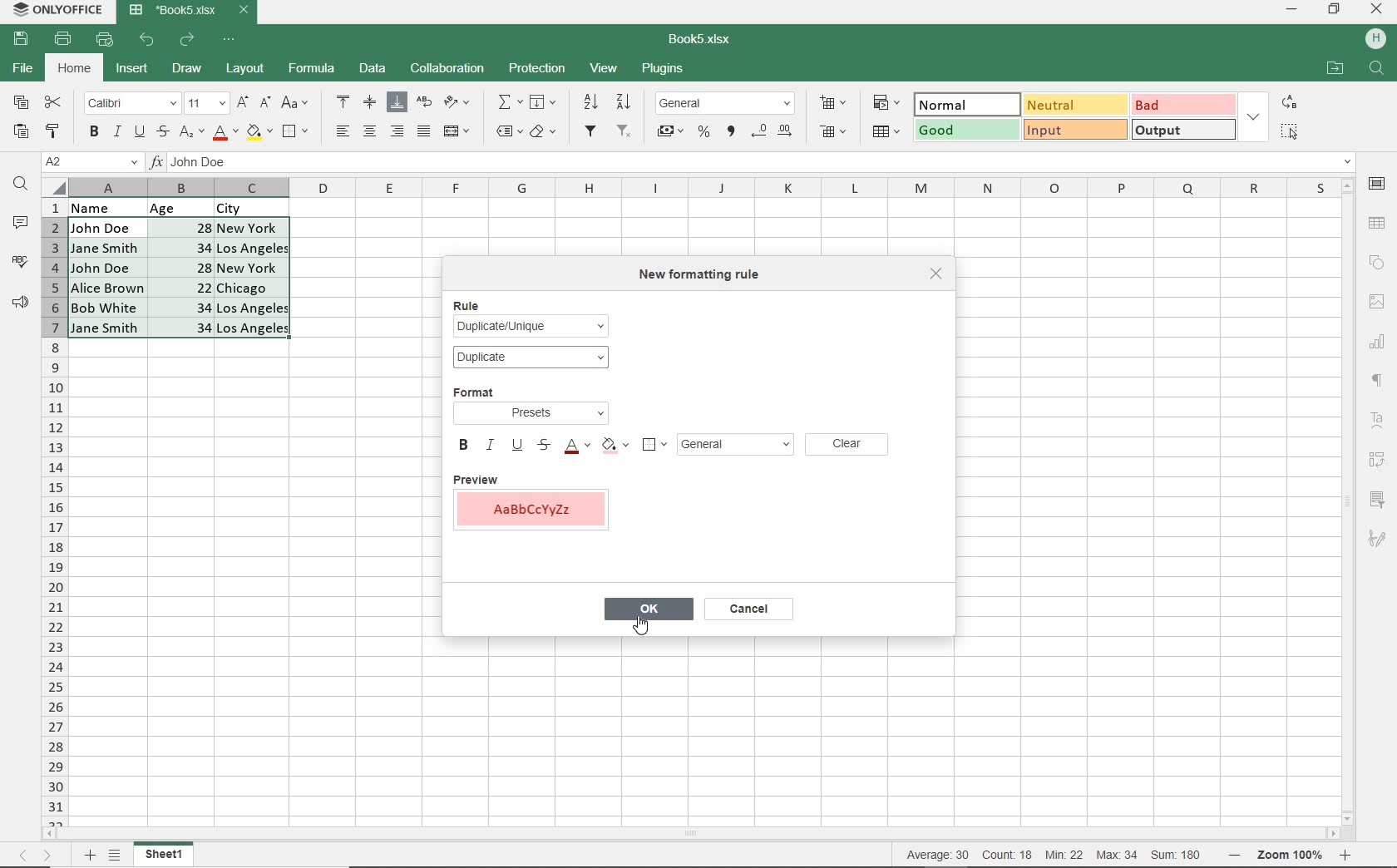 Image resolution: width=1397 pixels, height=868 pixels. Describe the element at coordinates (21, 69) in the screenshot. I see `FILE` at that location.